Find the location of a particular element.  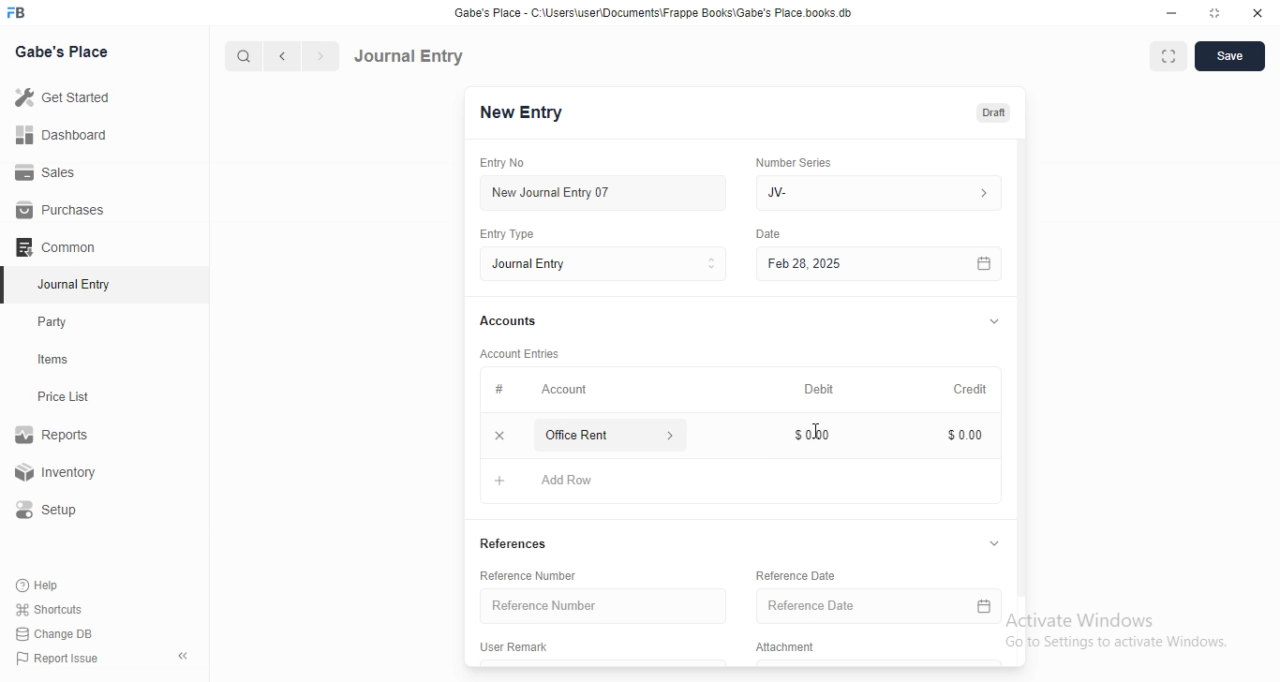

Get Started is located at coordinates (61, 99).